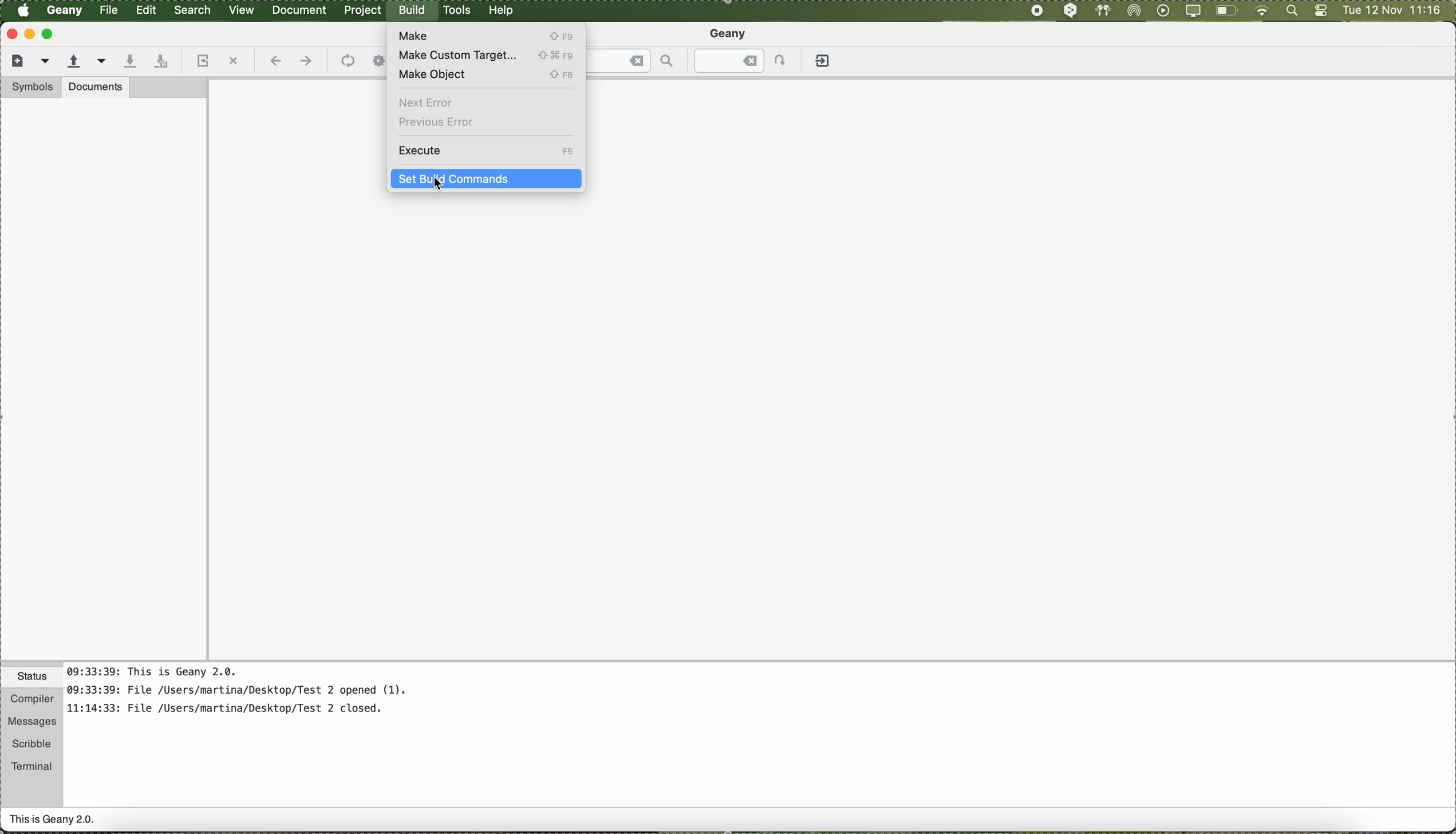 The width and height of the screenshot is (1456, 834). What do you see at coordinates (96, 86) in the screenshot?
I see `documents` at bounding box center [96, 86].